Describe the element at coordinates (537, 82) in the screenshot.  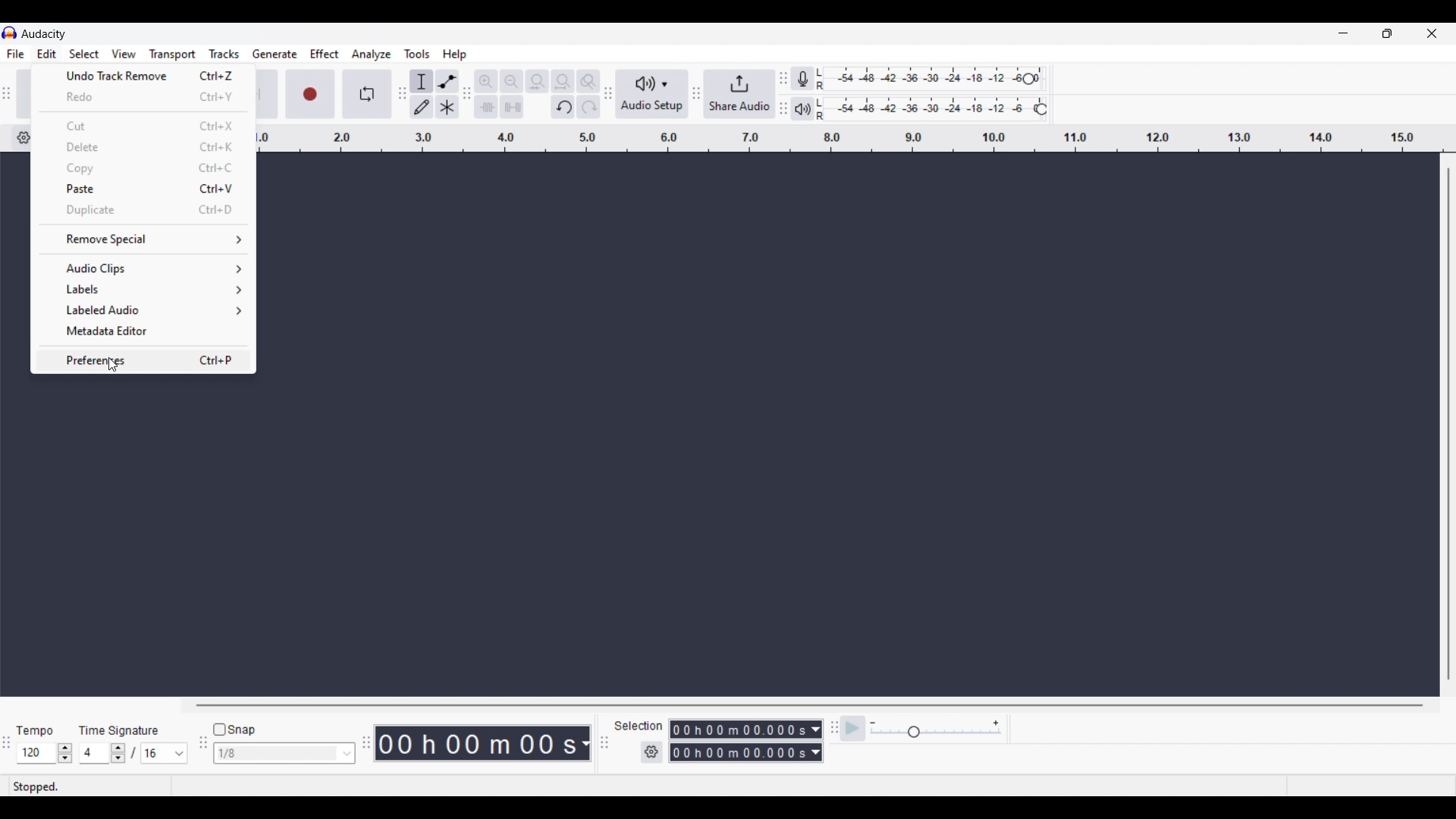
I see `Fit selection to width` at that location.